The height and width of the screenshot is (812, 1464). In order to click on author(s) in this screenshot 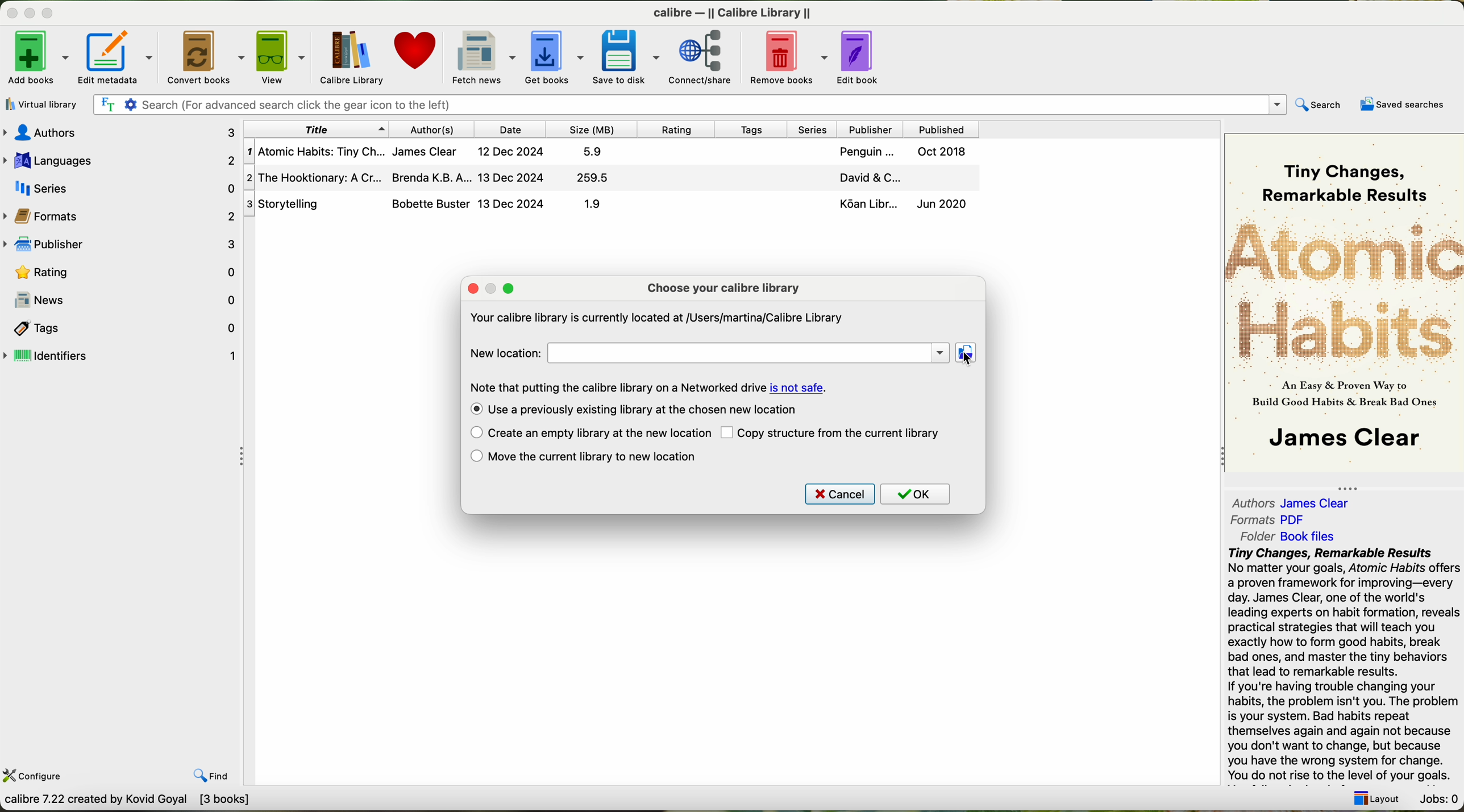, I will do `click(432, 130)`.